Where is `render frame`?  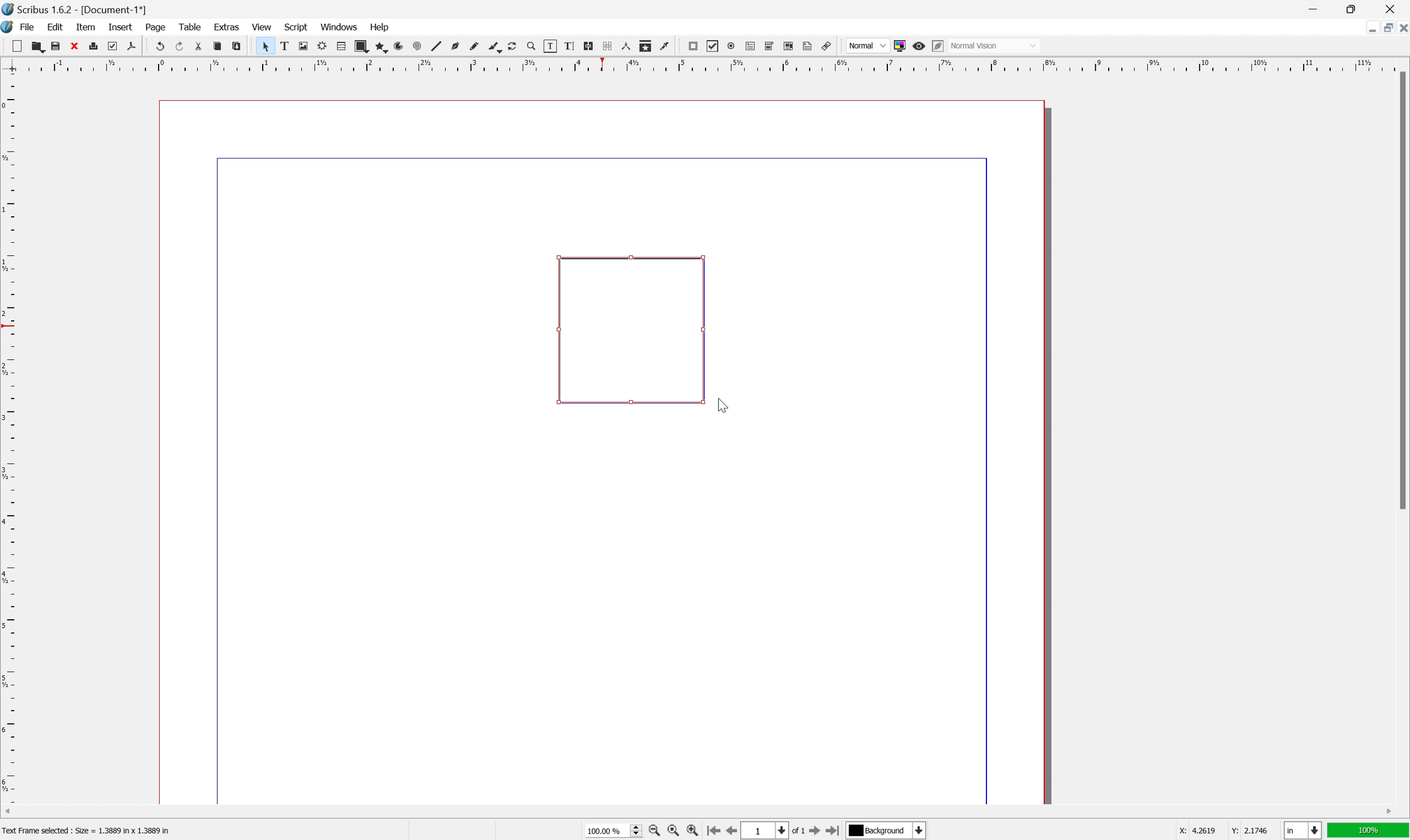 render frame is located at coordinates (323, 46).